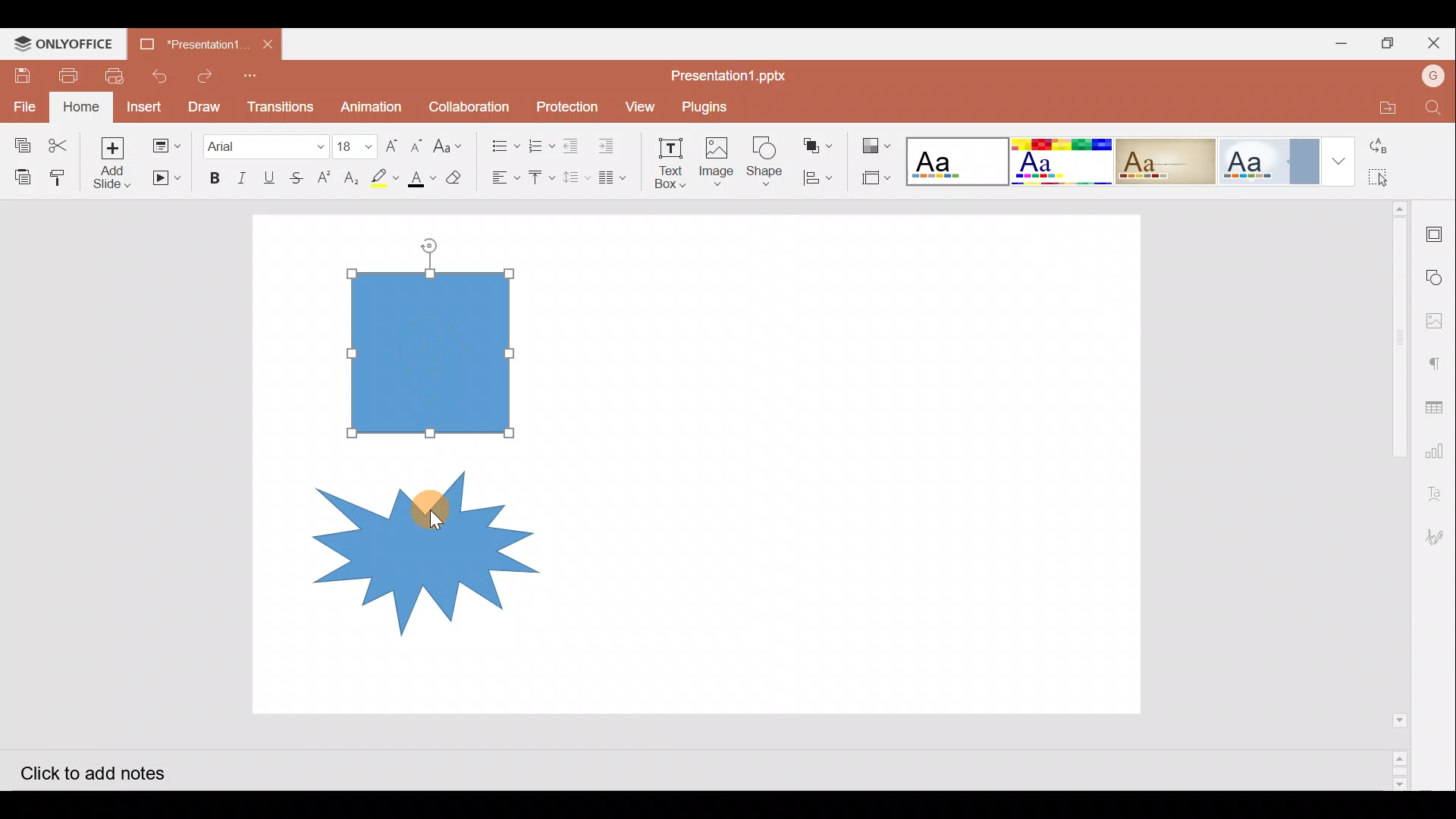 Image resolution: width=1456 pixels, height=819 pixels. I want to click on Insert columns, so click(616, 177).